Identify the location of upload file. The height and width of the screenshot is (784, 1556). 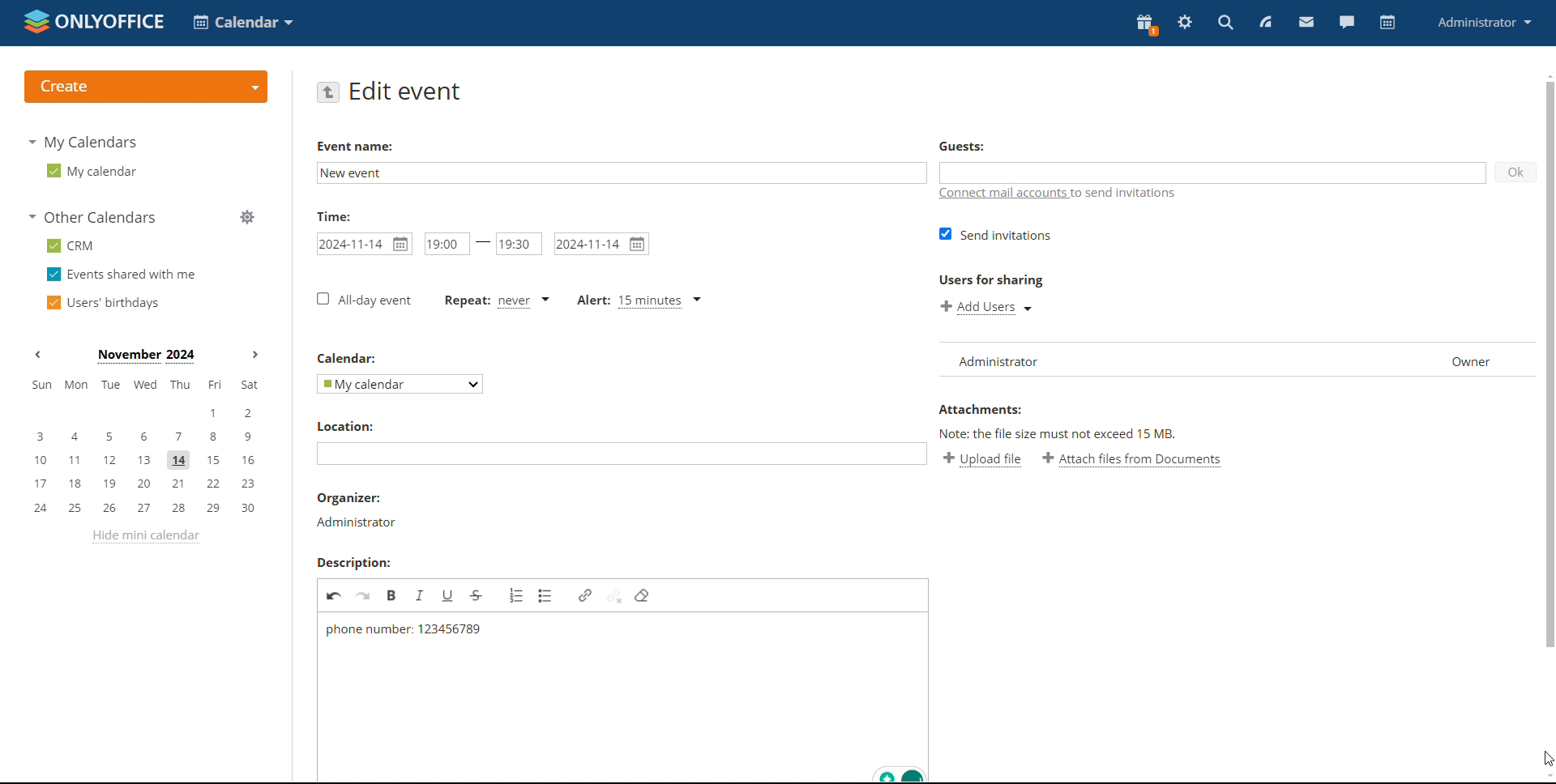
(981, 460).